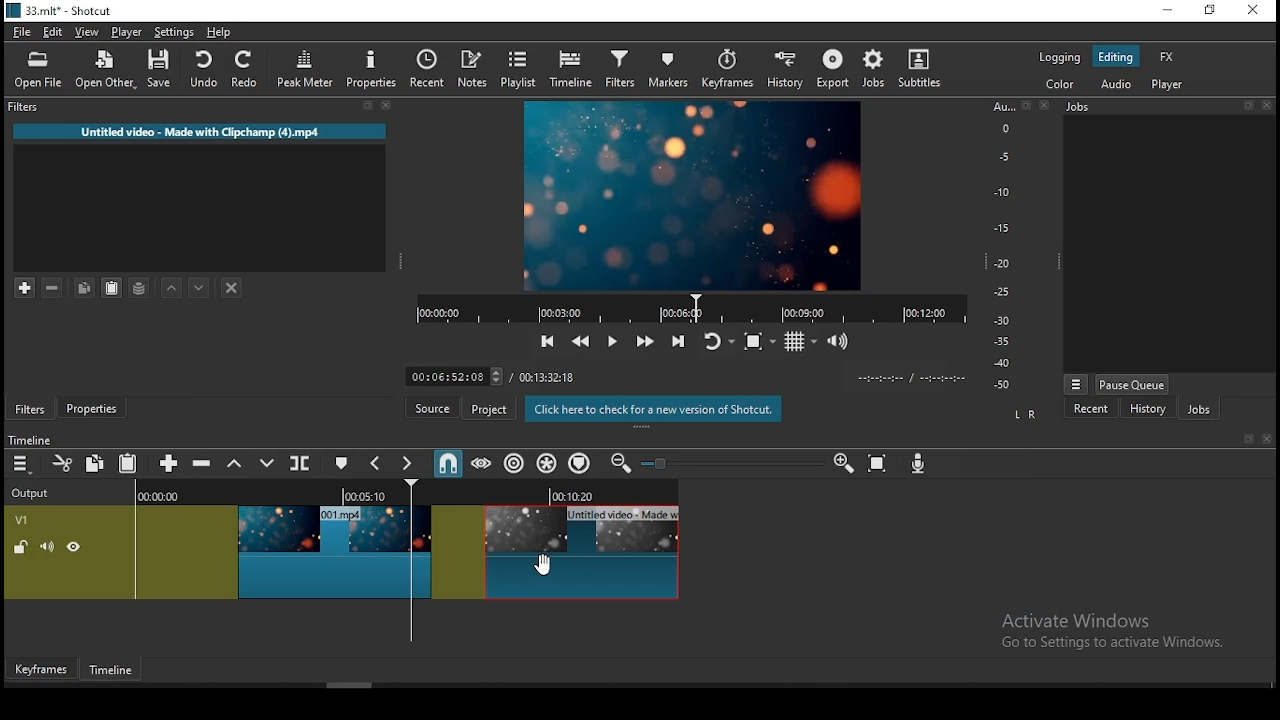  What do you see at coordinates (19, 547) in the screenshot?
I see `(un)lock` at bounding box center [19, 547].